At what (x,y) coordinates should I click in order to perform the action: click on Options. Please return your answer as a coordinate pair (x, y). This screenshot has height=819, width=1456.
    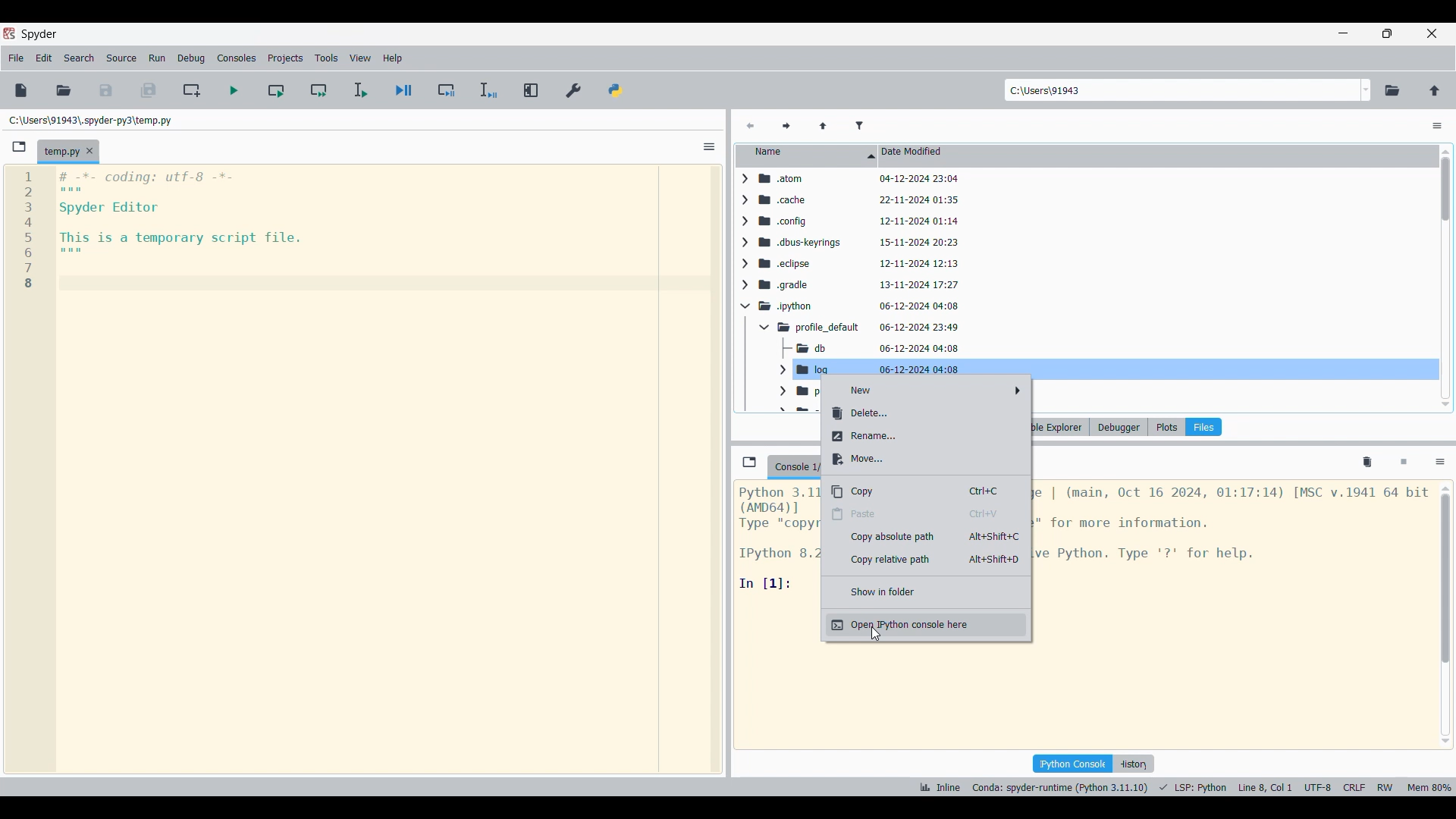
    Looking at the image, I should click on (710, 146).